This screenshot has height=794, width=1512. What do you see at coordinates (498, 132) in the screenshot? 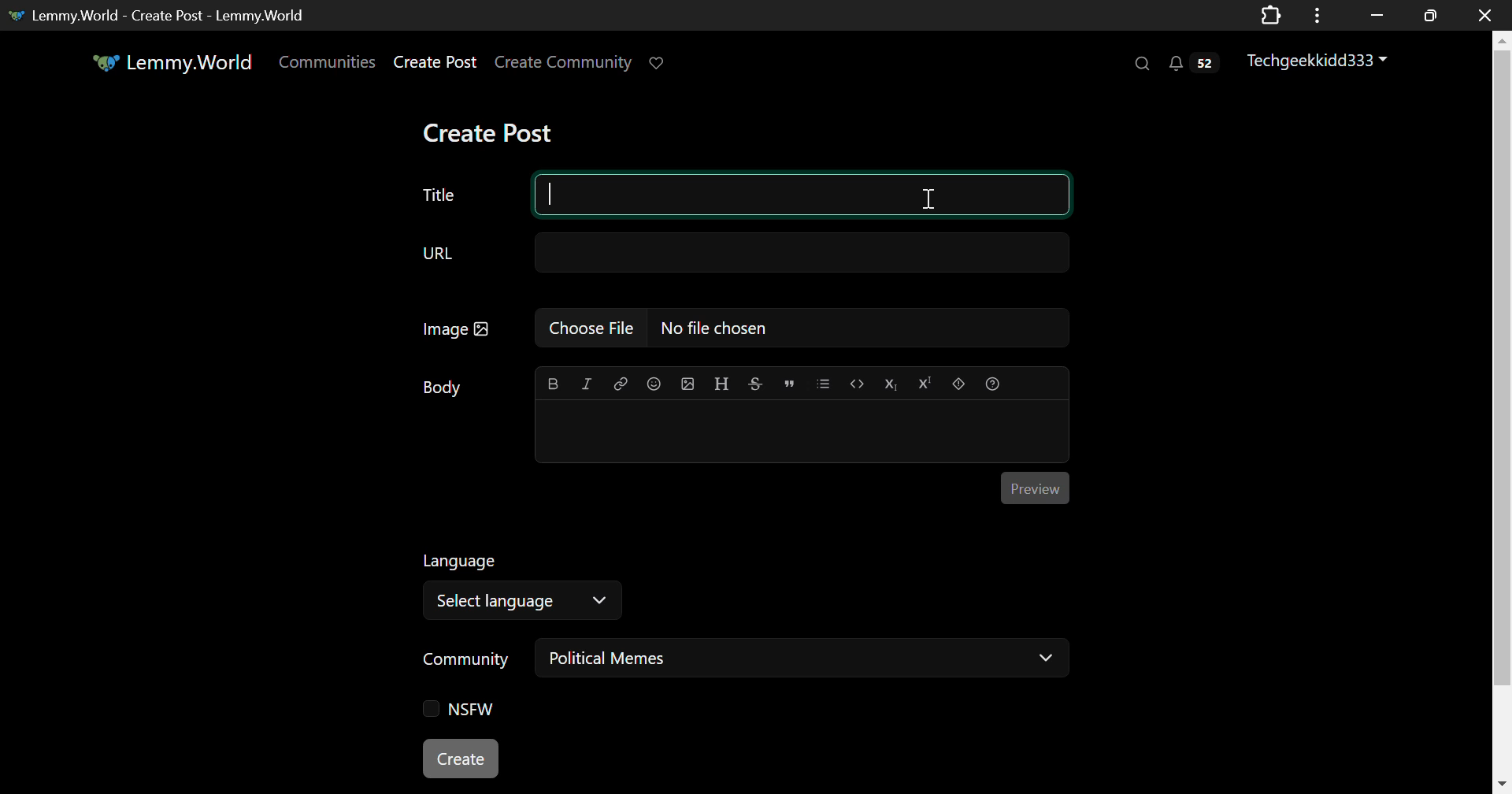
I see `Create Post` at bounding box center [498, 132].